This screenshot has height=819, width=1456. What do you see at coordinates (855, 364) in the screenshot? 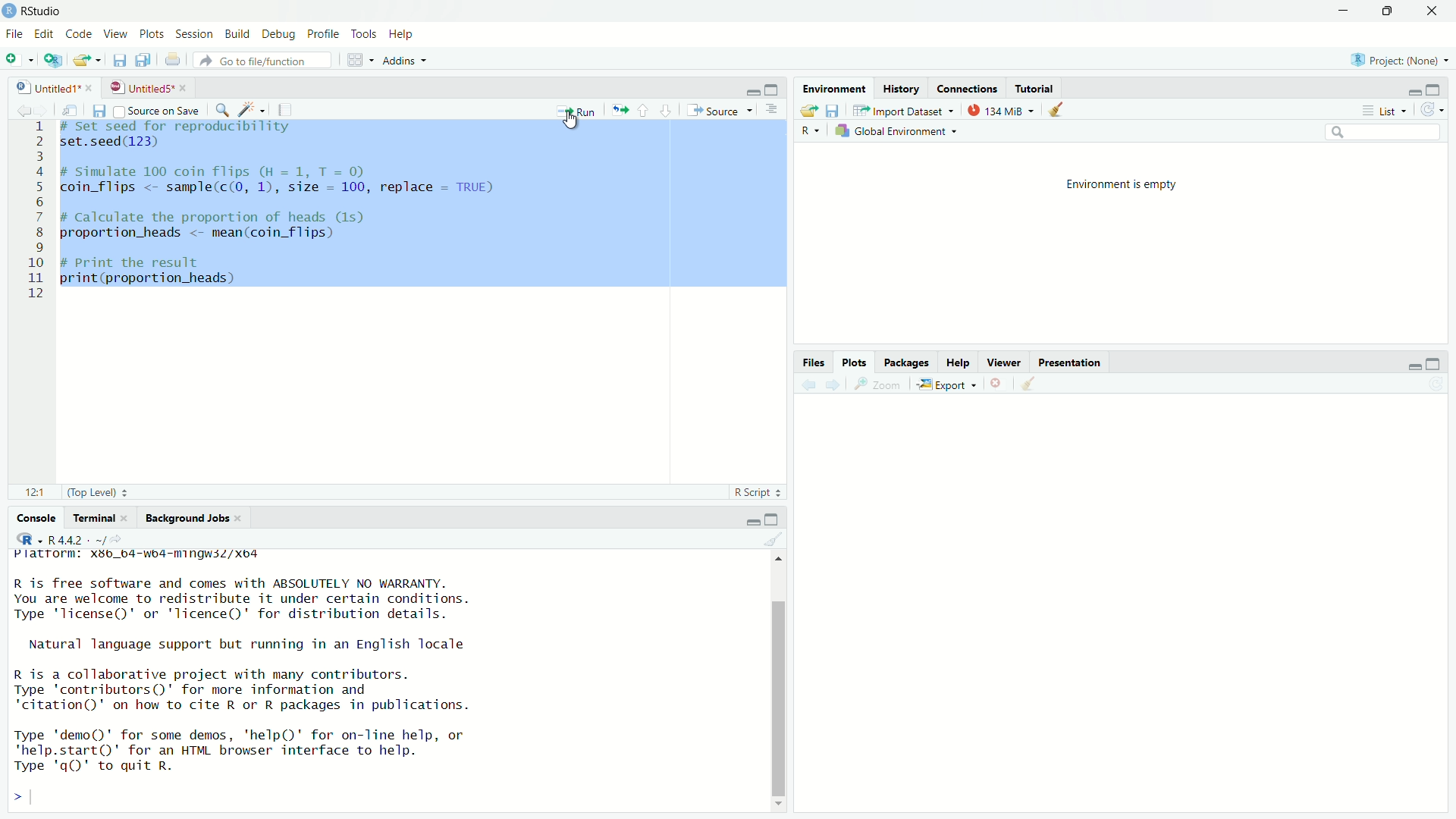
I see `Plots` at bounding box center [855, 364].